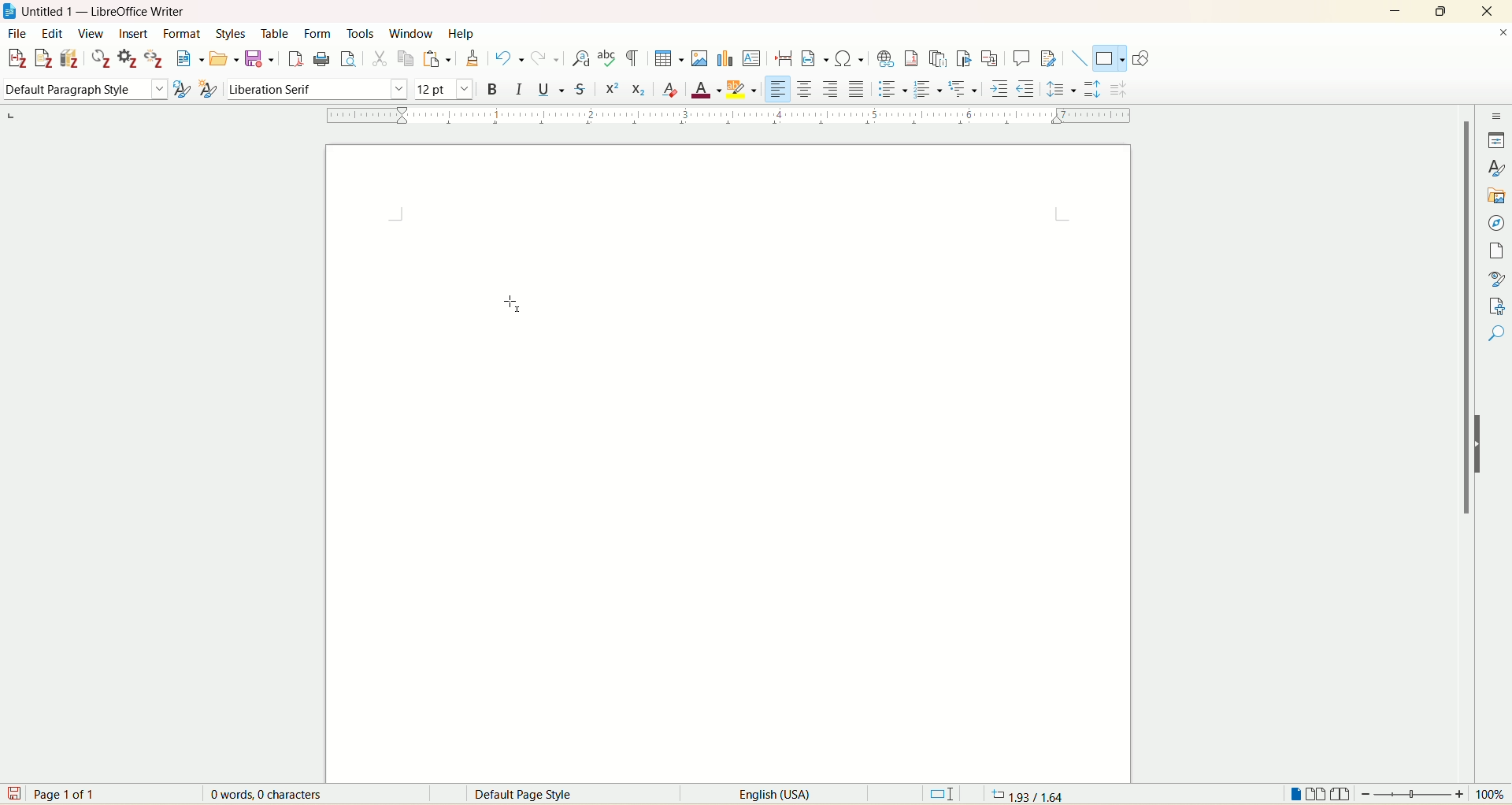 This screenshot has height=805, width=1512. I want to click on styles, so click(235, 34).